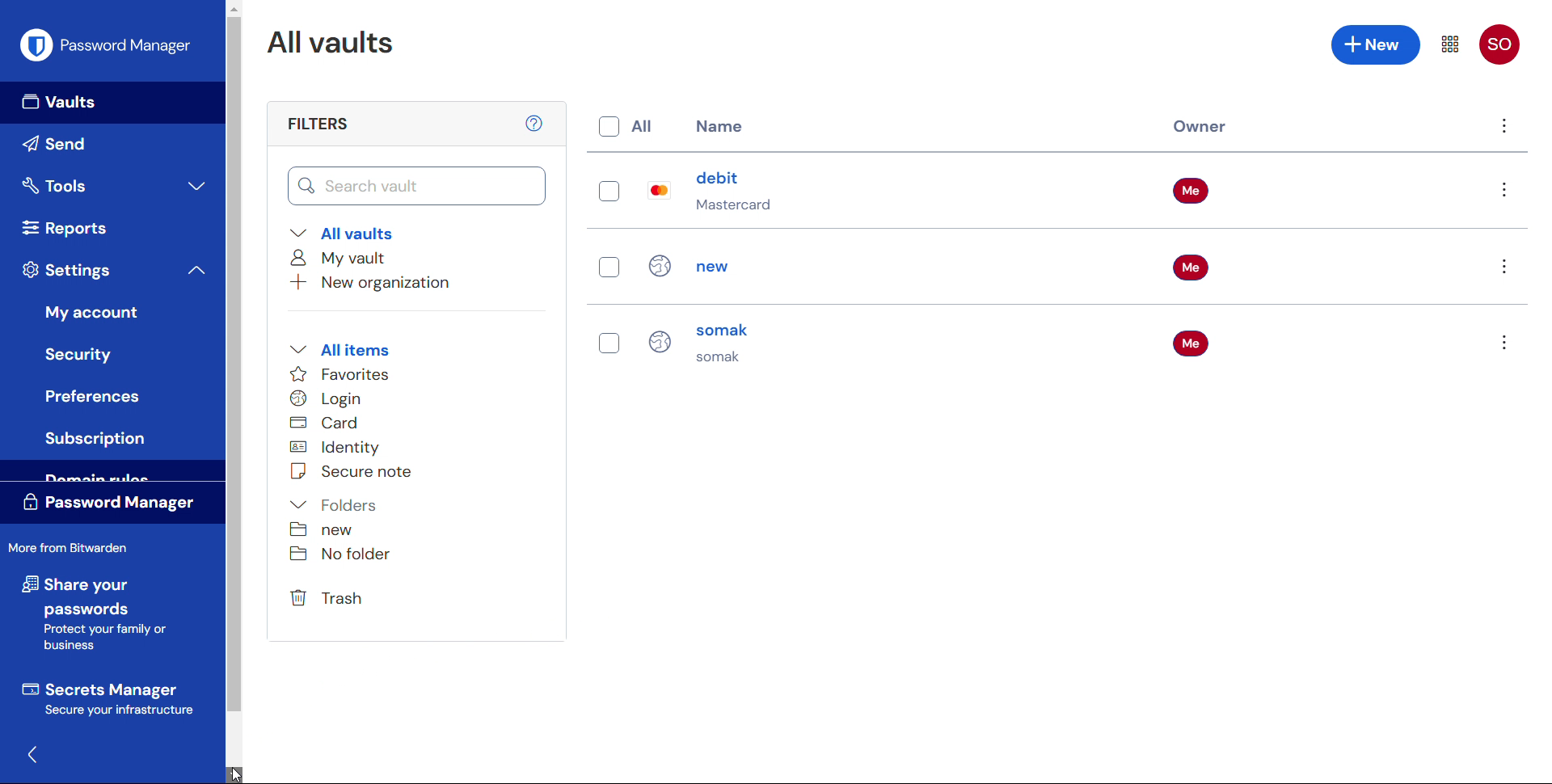 Image resolution: width=1552 pixels, height=784 pixels. I want to click on collapse settings, so click(194, 270).